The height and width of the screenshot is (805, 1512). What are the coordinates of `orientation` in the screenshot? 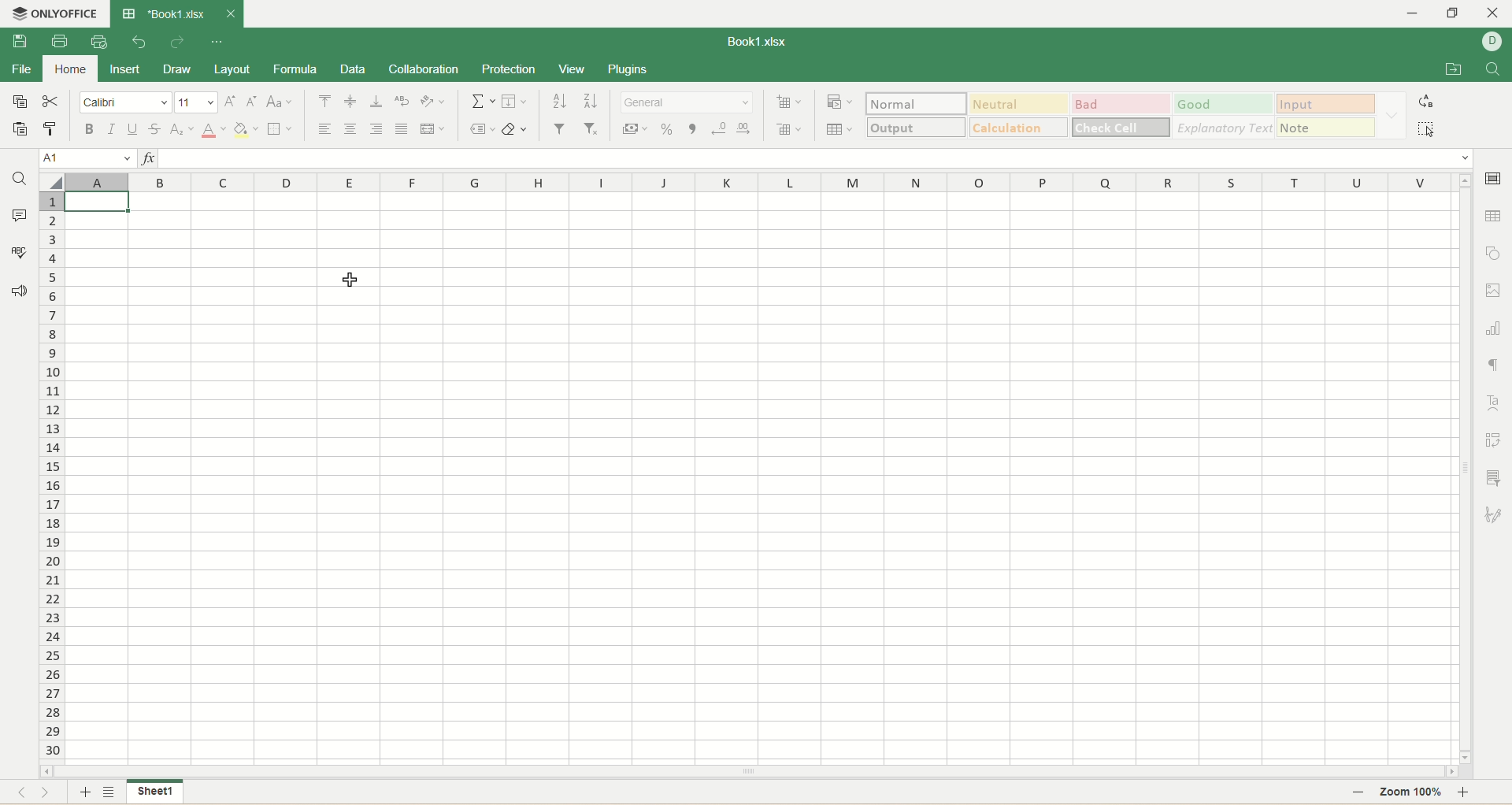 It's located at (434, 102).